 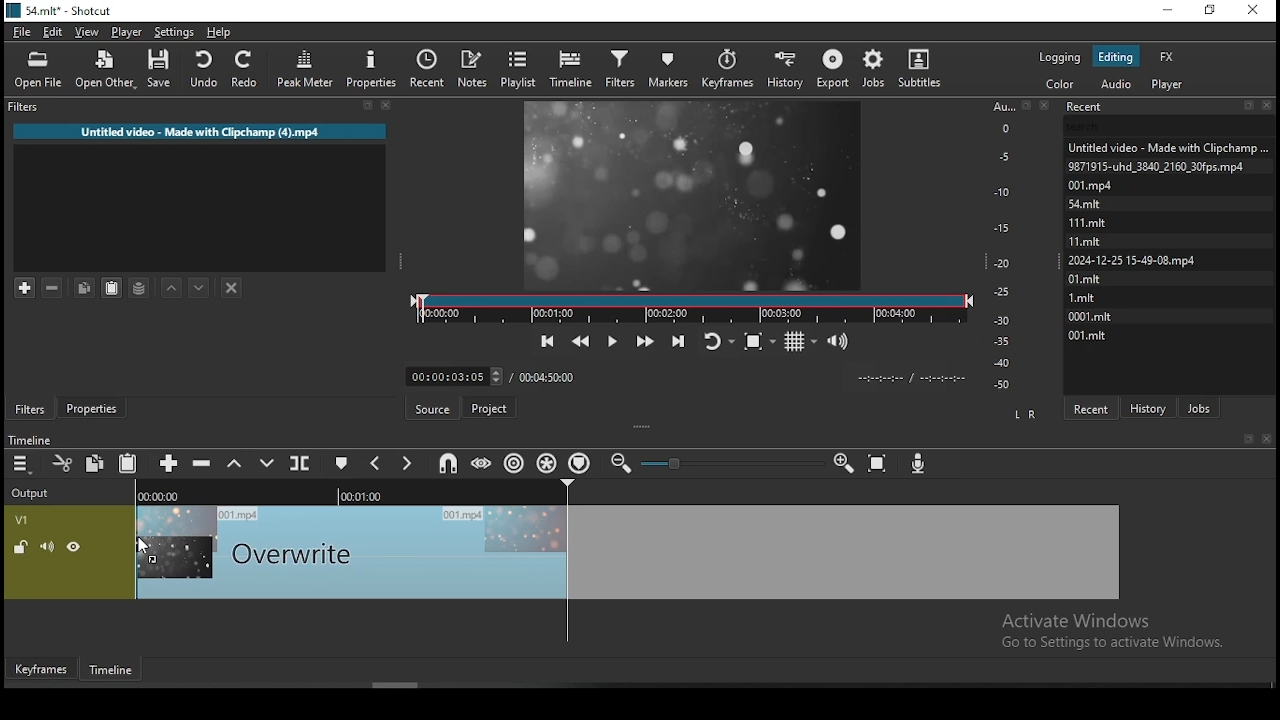 I want to click on settings, so click(x=172, y=32).